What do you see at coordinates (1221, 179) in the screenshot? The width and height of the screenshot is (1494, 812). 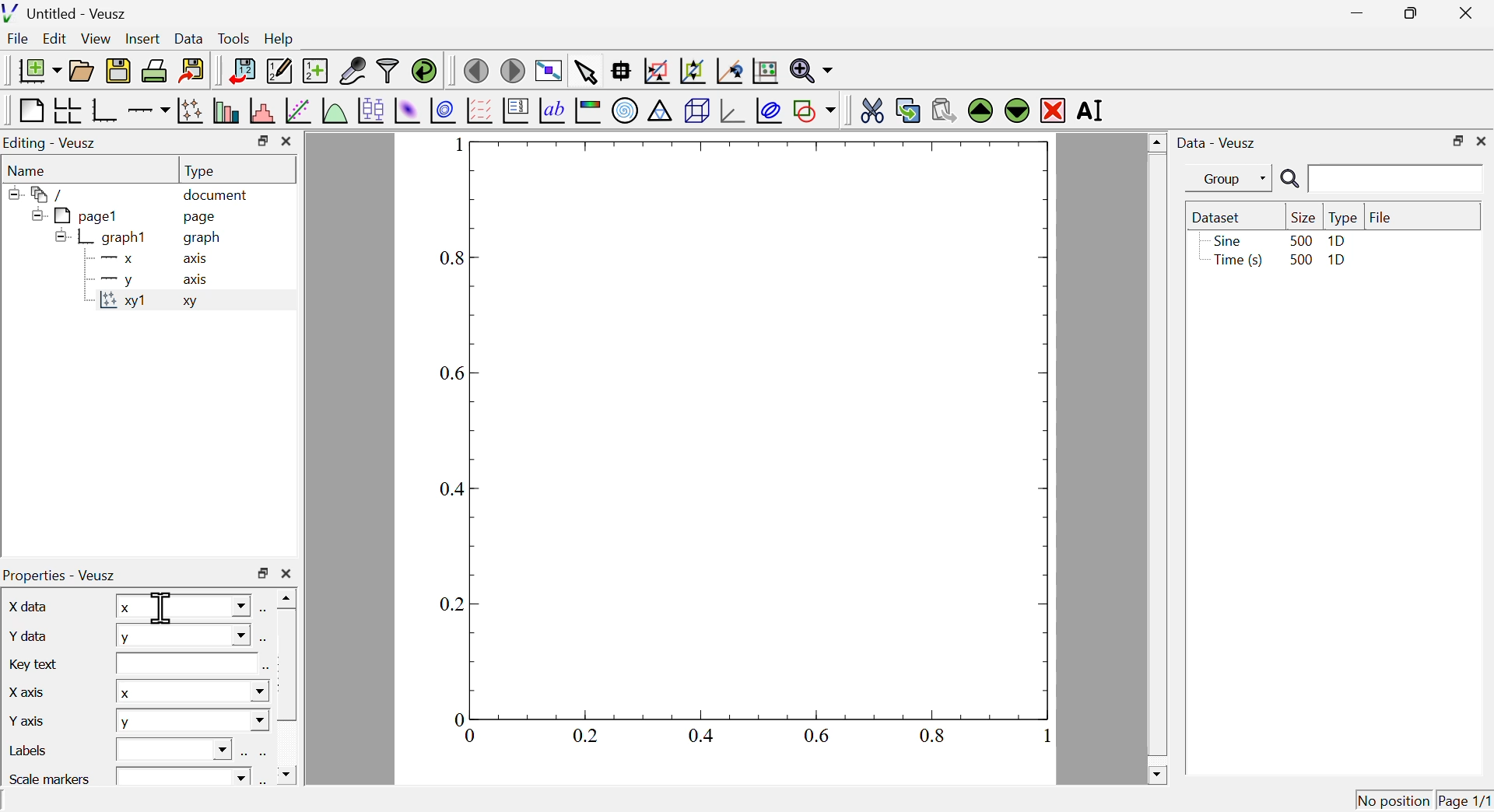 I see `group` at bounding box center [1221, 179].